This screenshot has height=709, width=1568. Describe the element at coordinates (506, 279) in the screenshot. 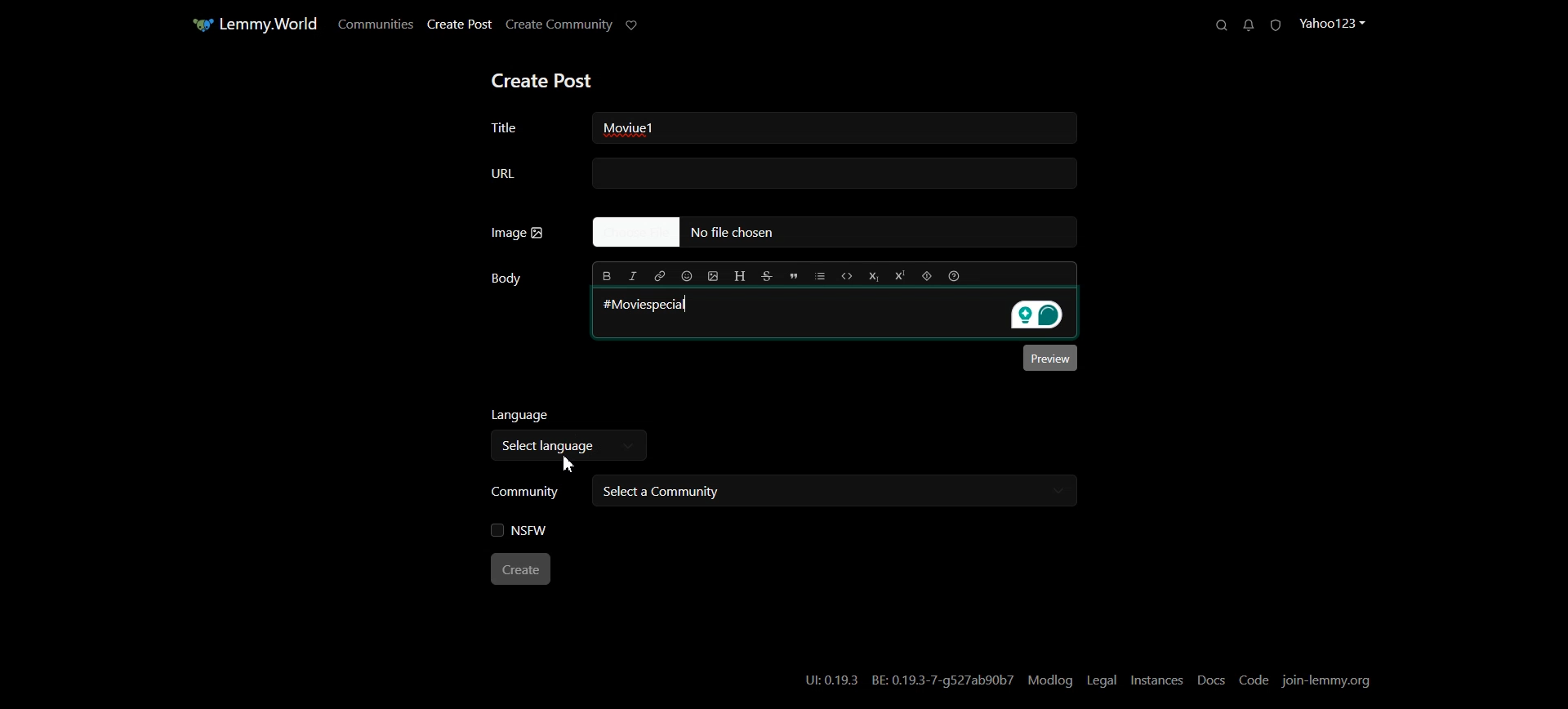

I see `Body` at that location.